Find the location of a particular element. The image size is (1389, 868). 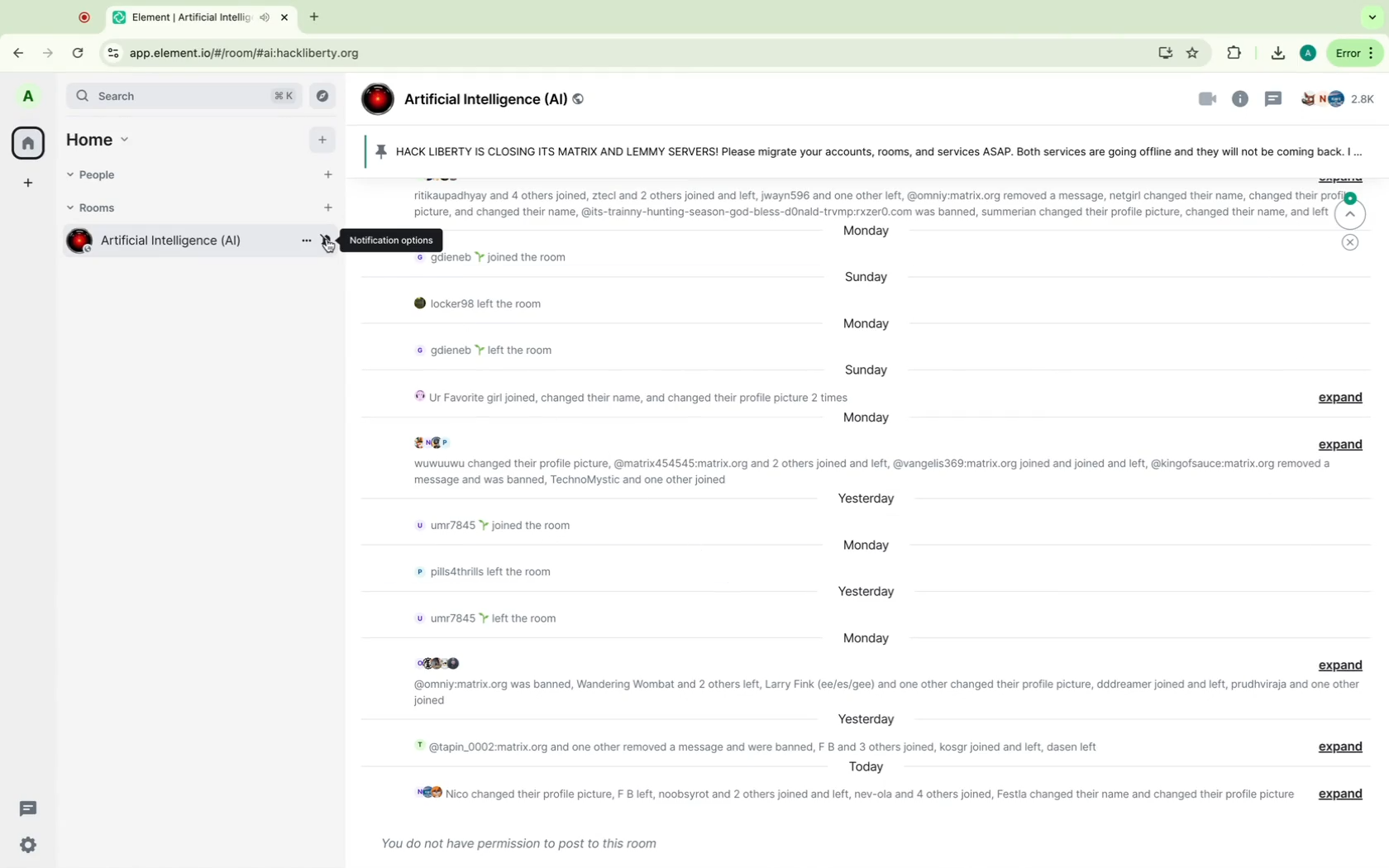

expand is located at coordinates (1338, 443).